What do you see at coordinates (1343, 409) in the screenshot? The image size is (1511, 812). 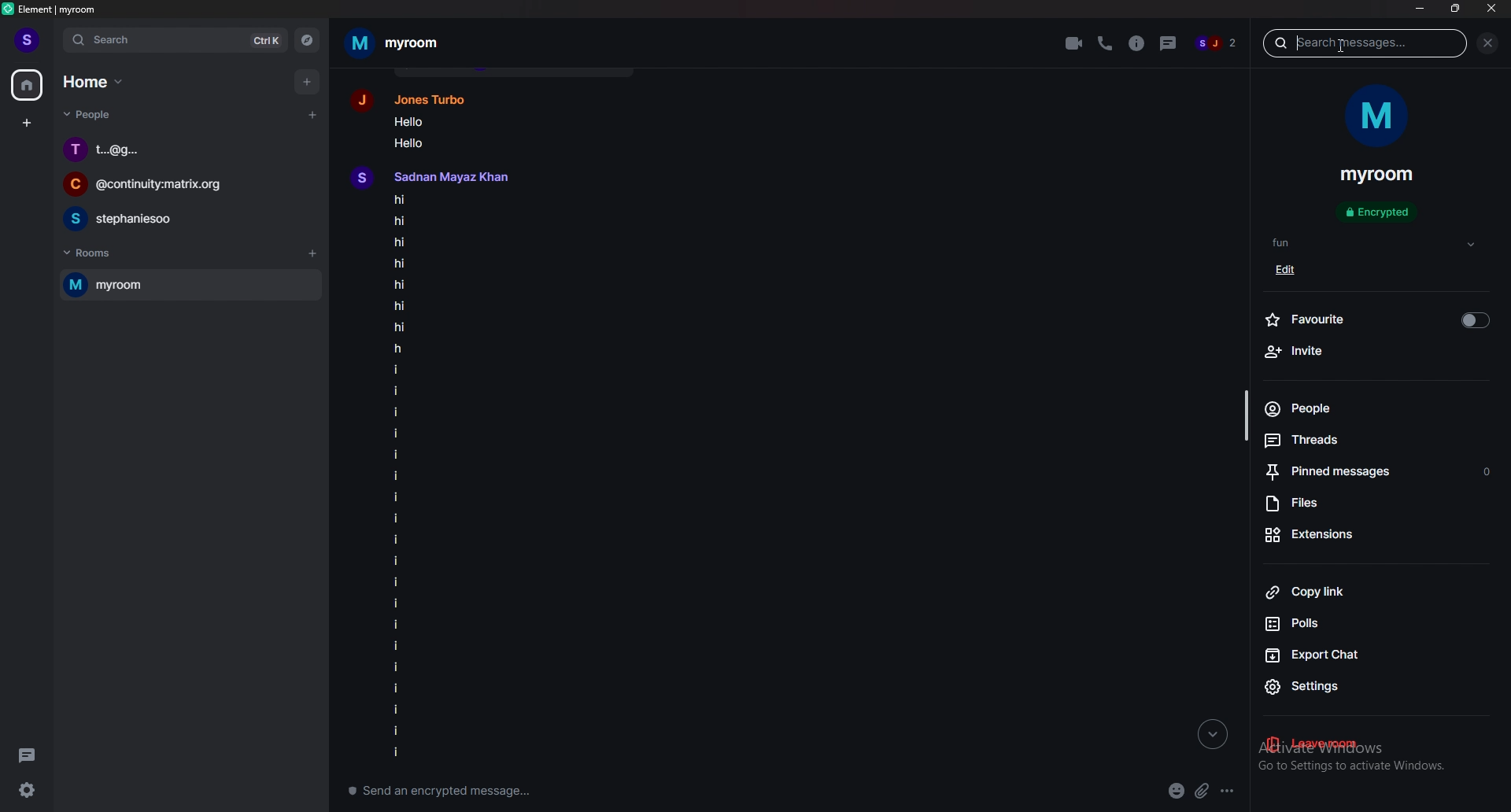 I see `people` at bounding box center [1343, 409].